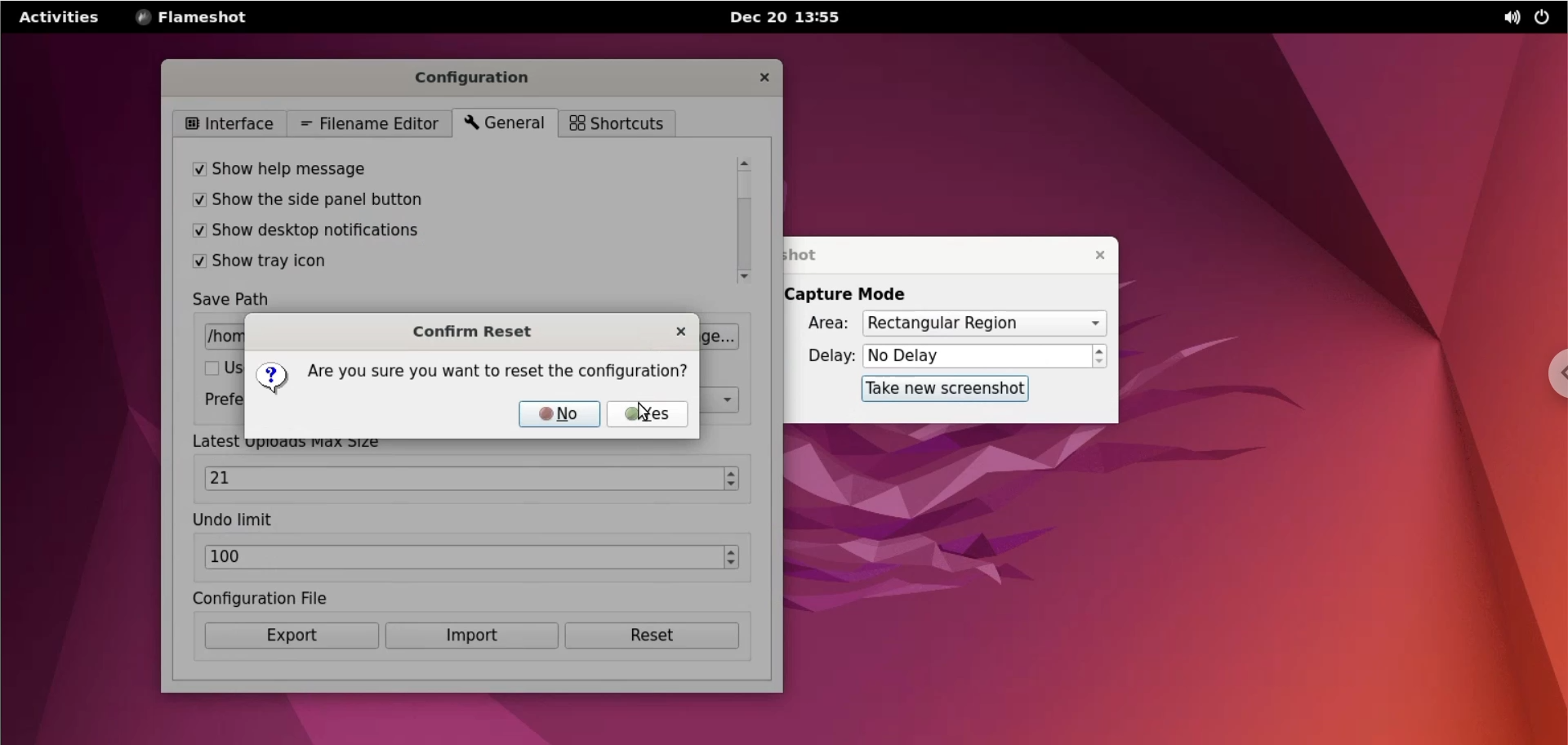 The image size is (1568, 745). Describe the element at coordinates (822, 355) in the screenshot. I see `delay:` at that location.